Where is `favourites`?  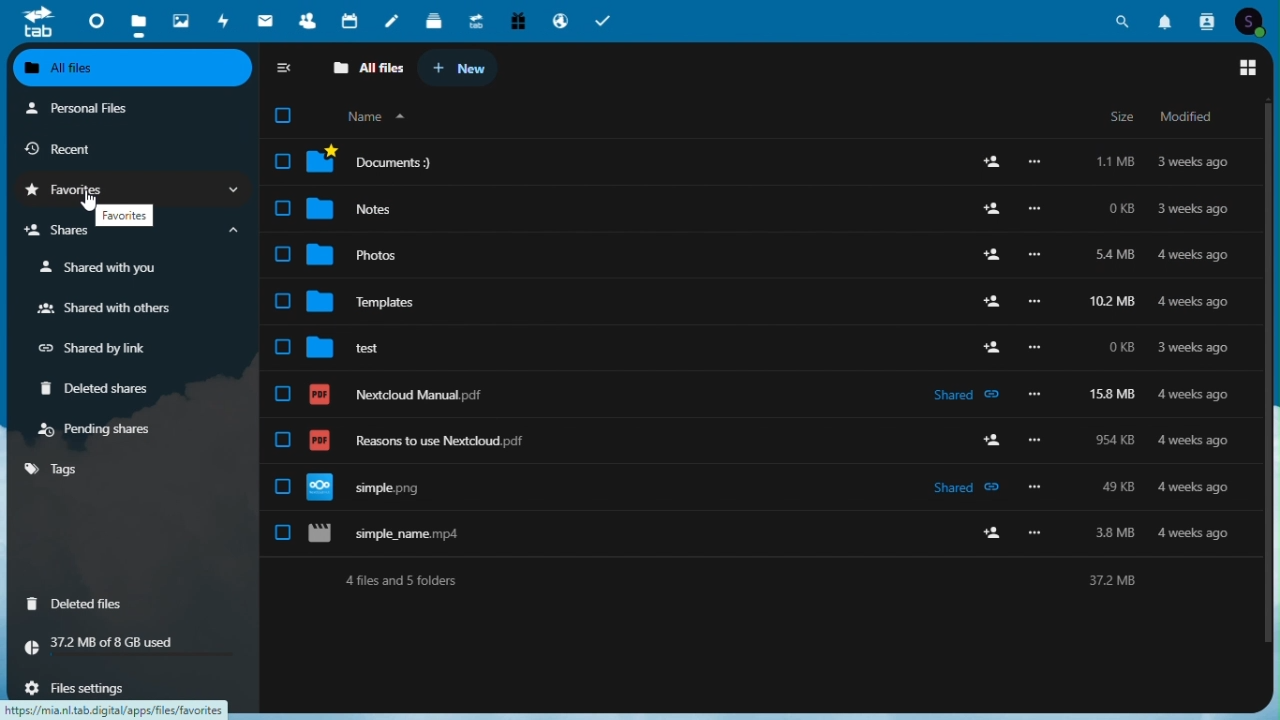
favourites is located at coordinates (124, 215).